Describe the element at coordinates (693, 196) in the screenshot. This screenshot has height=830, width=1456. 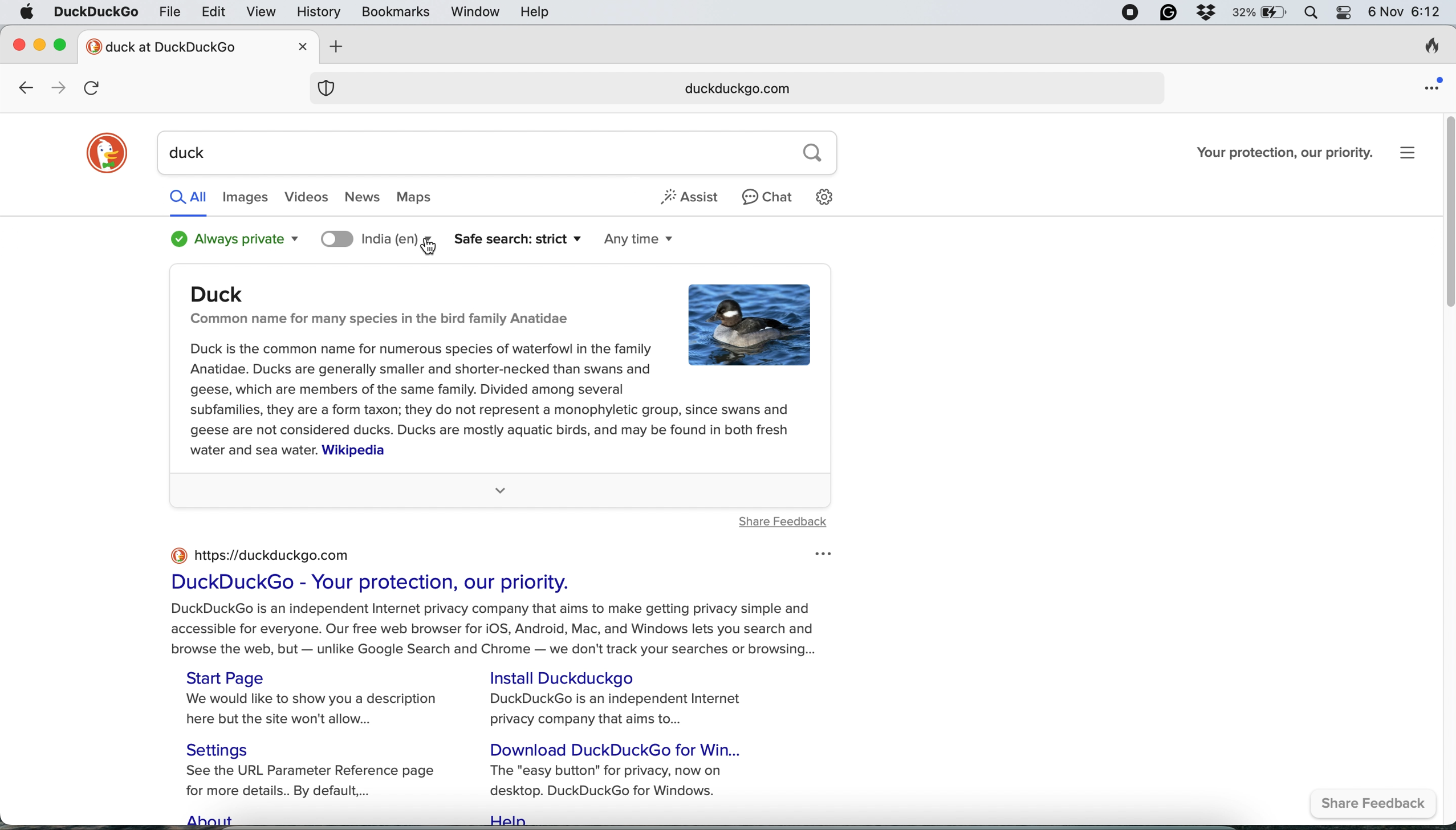
I see `assist` at that location.